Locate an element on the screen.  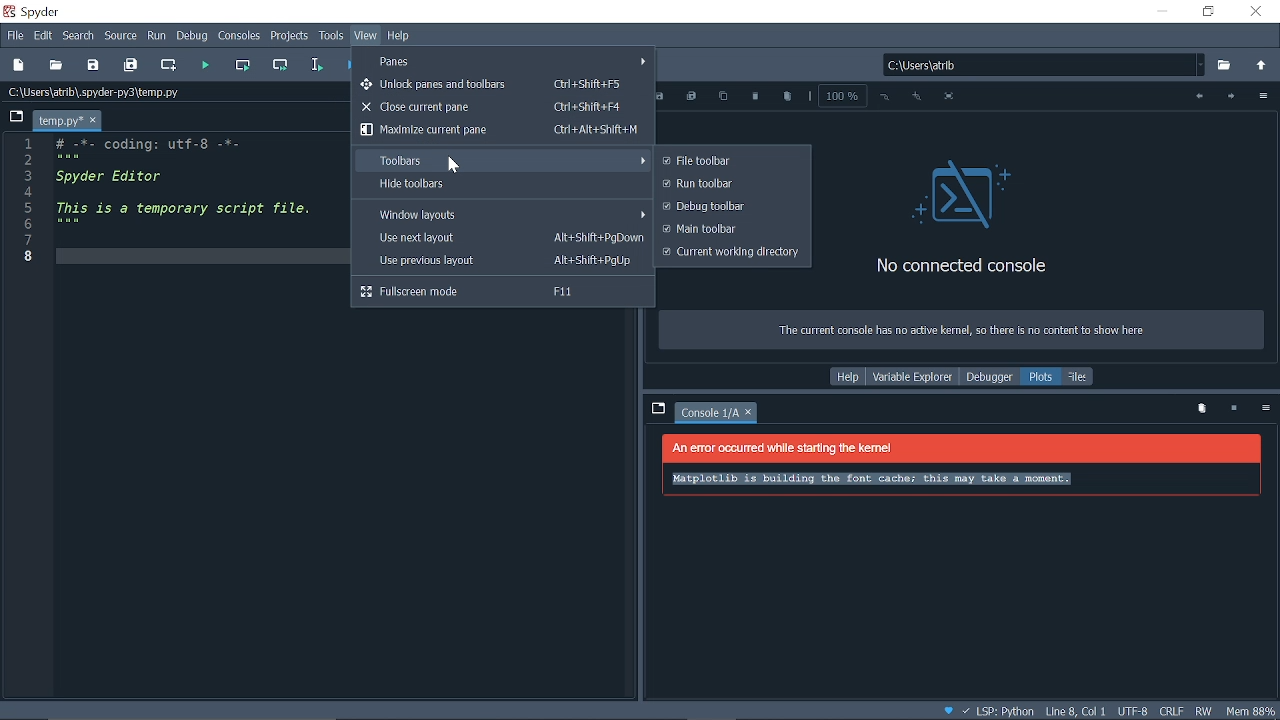
File permissions is located at coordinates (1205, 710).